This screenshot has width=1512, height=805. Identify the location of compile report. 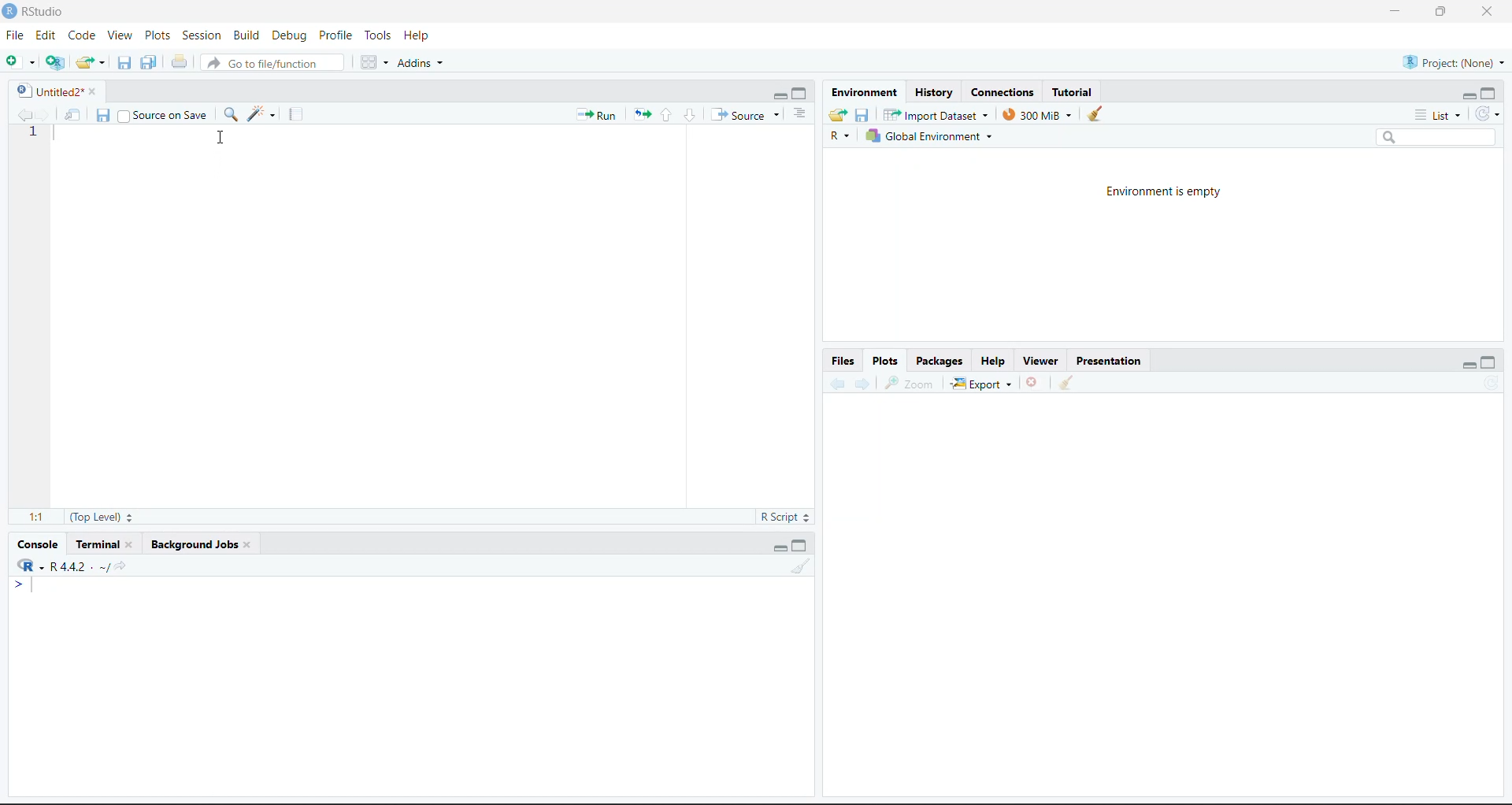
(291, 116).